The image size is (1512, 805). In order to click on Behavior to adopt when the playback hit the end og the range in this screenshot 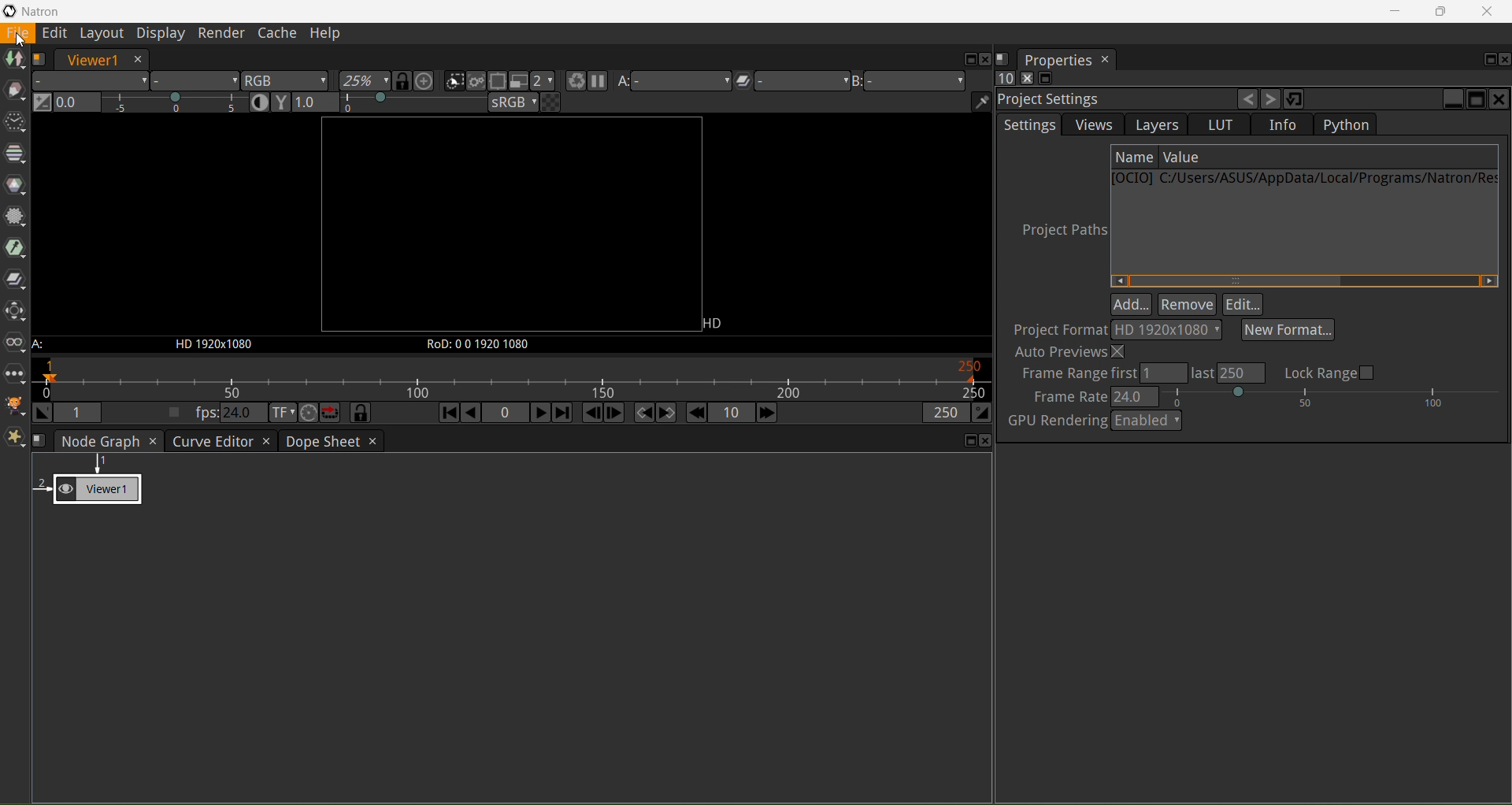, I will do `click(330, 414)`.